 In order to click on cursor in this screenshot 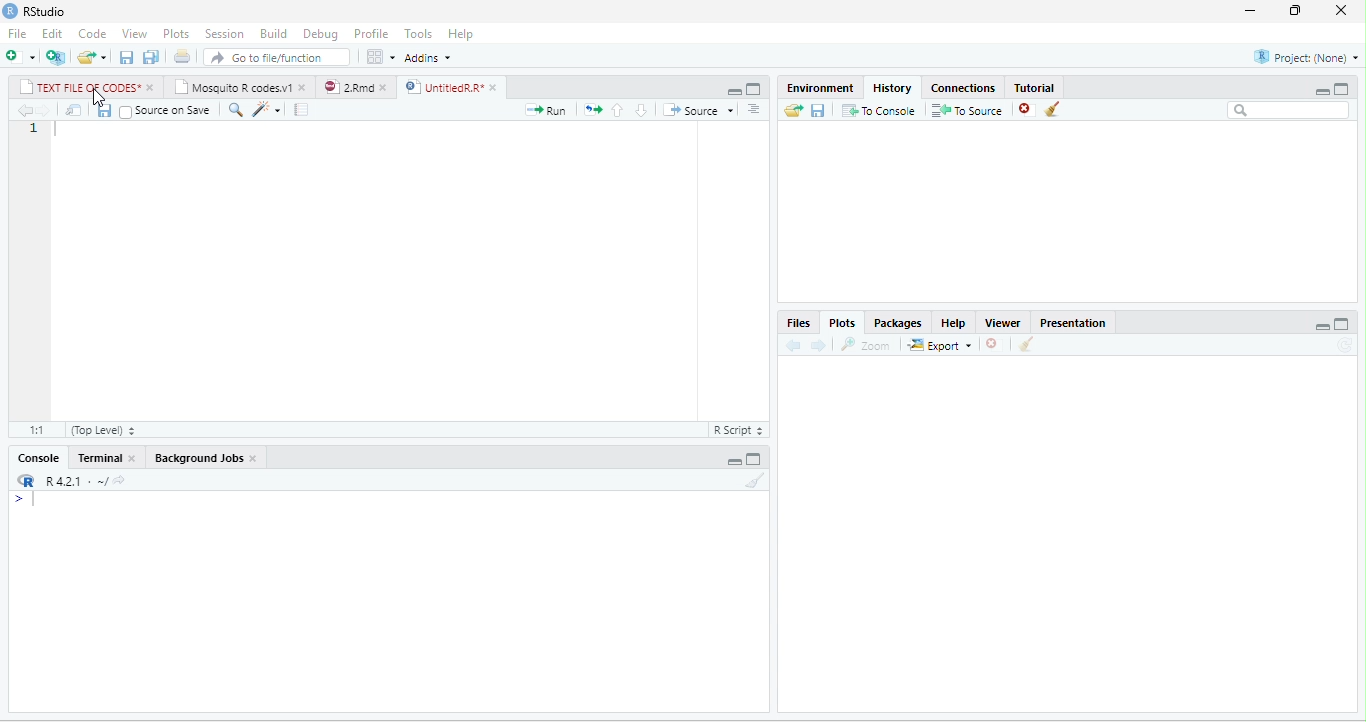, I will do `click(99, 97)`.